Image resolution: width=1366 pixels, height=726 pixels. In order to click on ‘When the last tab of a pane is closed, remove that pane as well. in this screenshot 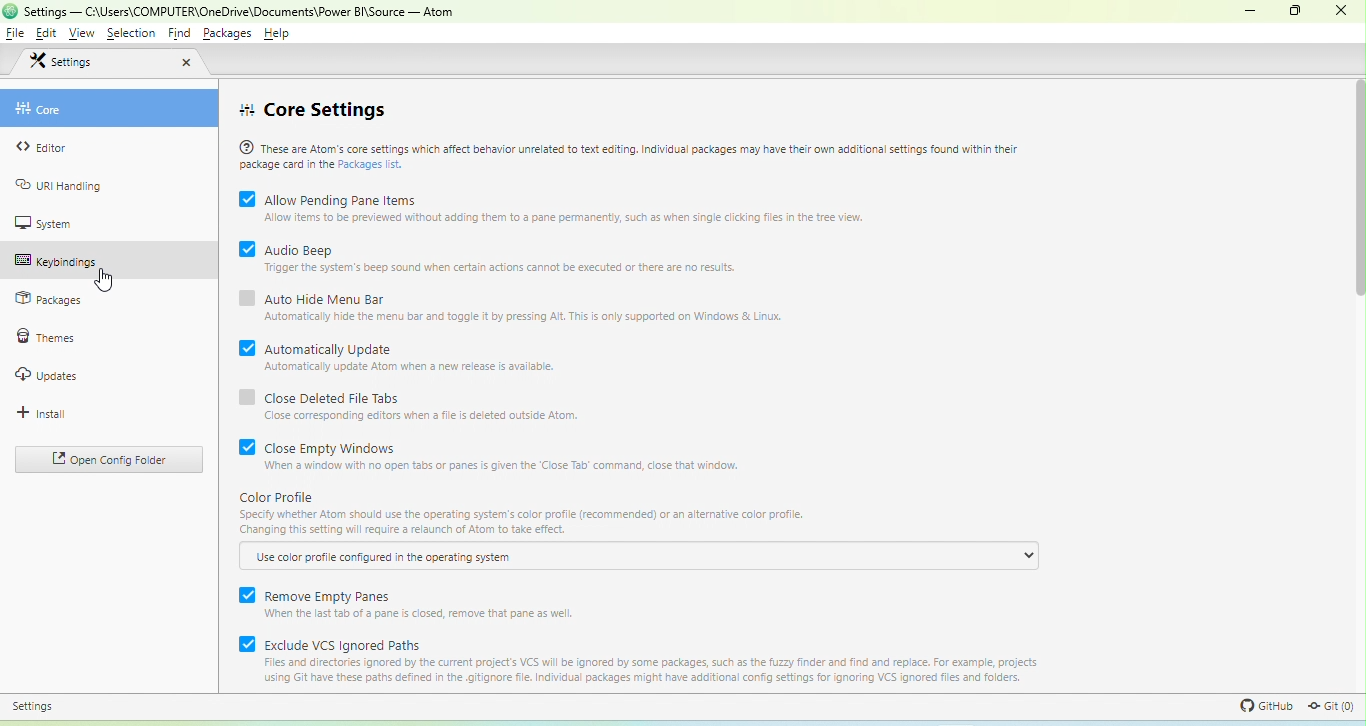, I will do `click(440, 615)`.